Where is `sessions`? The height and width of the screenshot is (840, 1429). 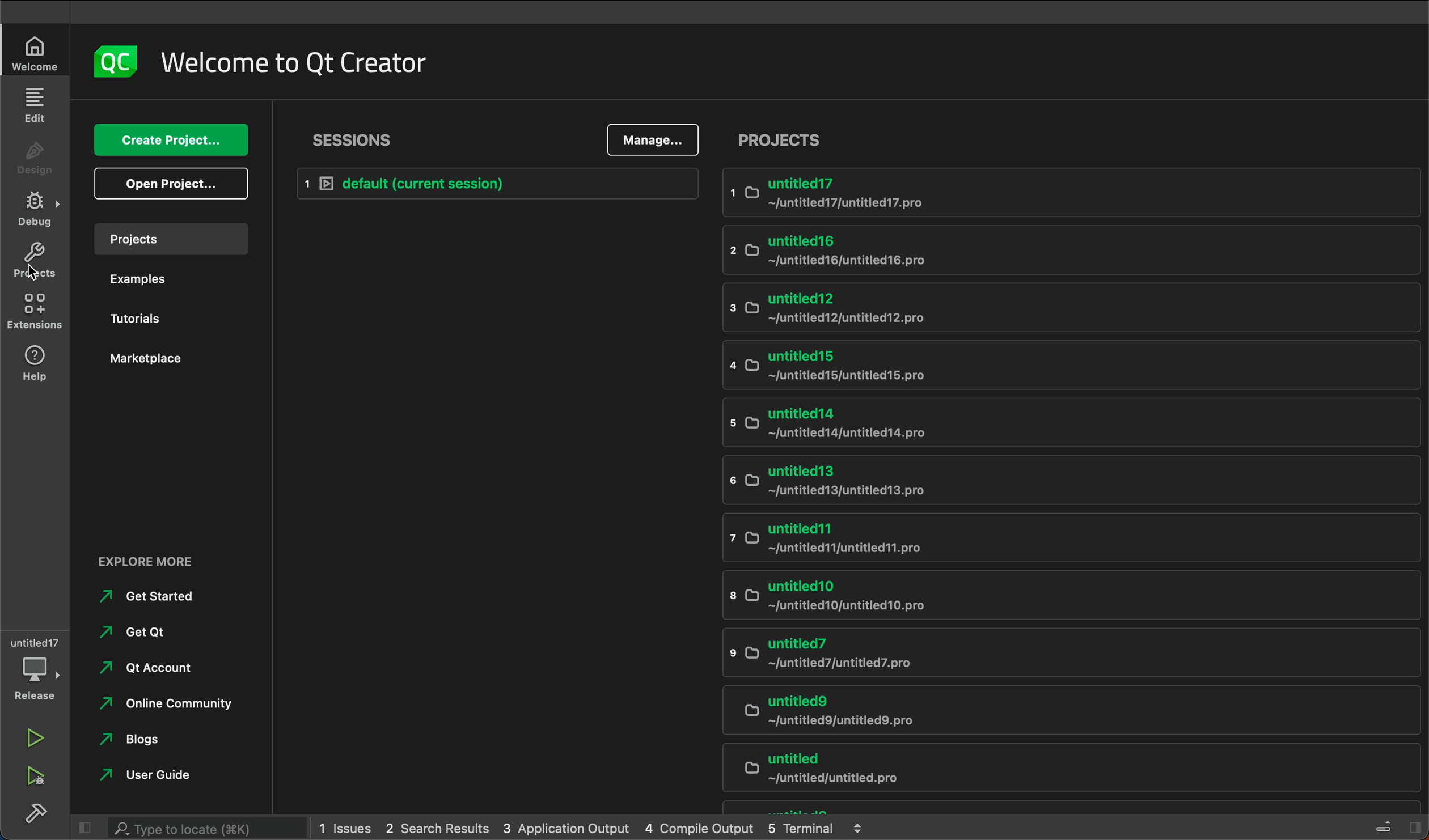 sessions is located at coordinates (360, 140).